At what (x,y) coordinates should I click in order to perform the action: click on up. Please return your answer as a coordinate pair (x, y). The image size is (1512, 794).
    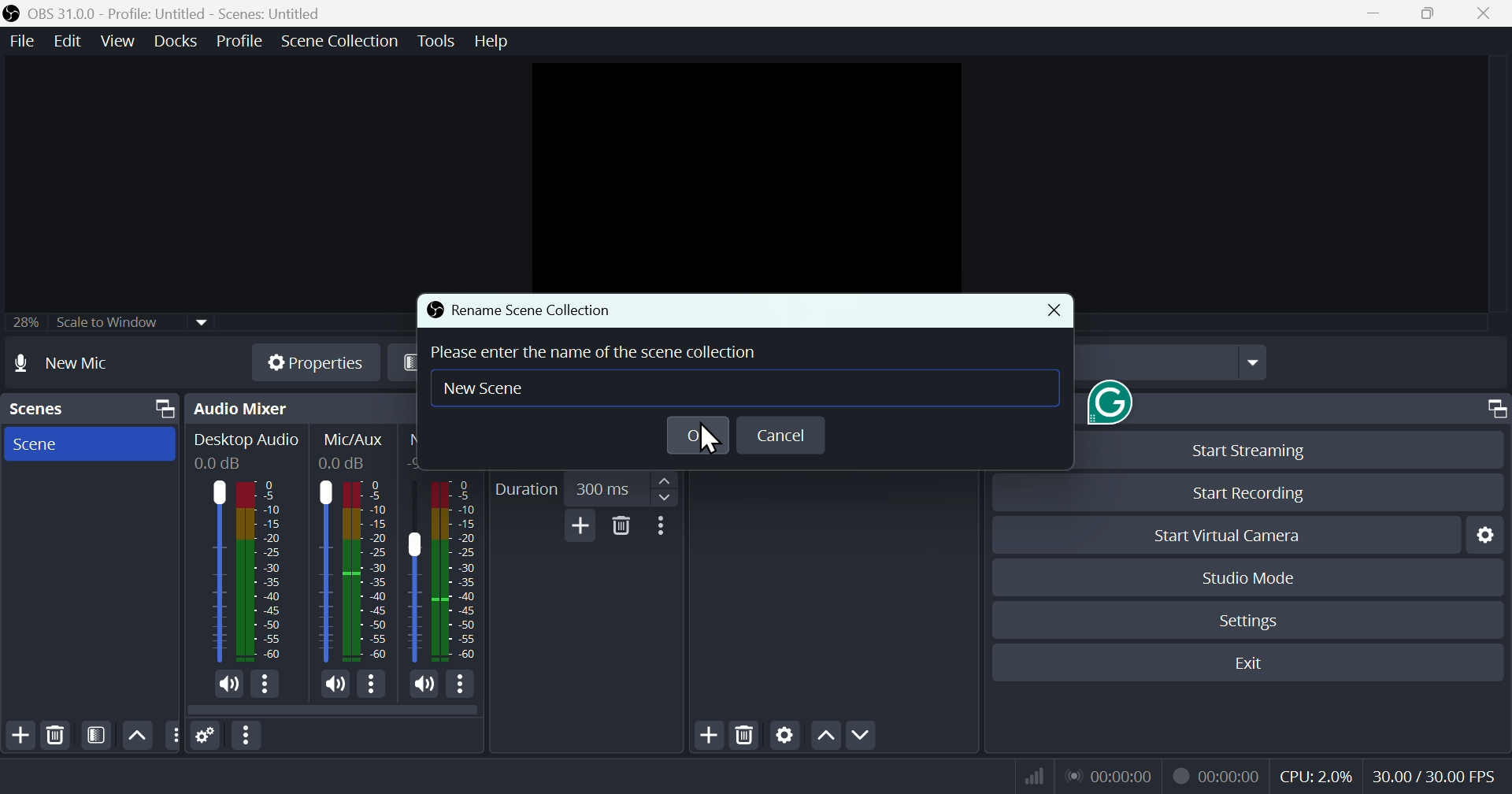
    Looking at the image, I should click on (136, 733).